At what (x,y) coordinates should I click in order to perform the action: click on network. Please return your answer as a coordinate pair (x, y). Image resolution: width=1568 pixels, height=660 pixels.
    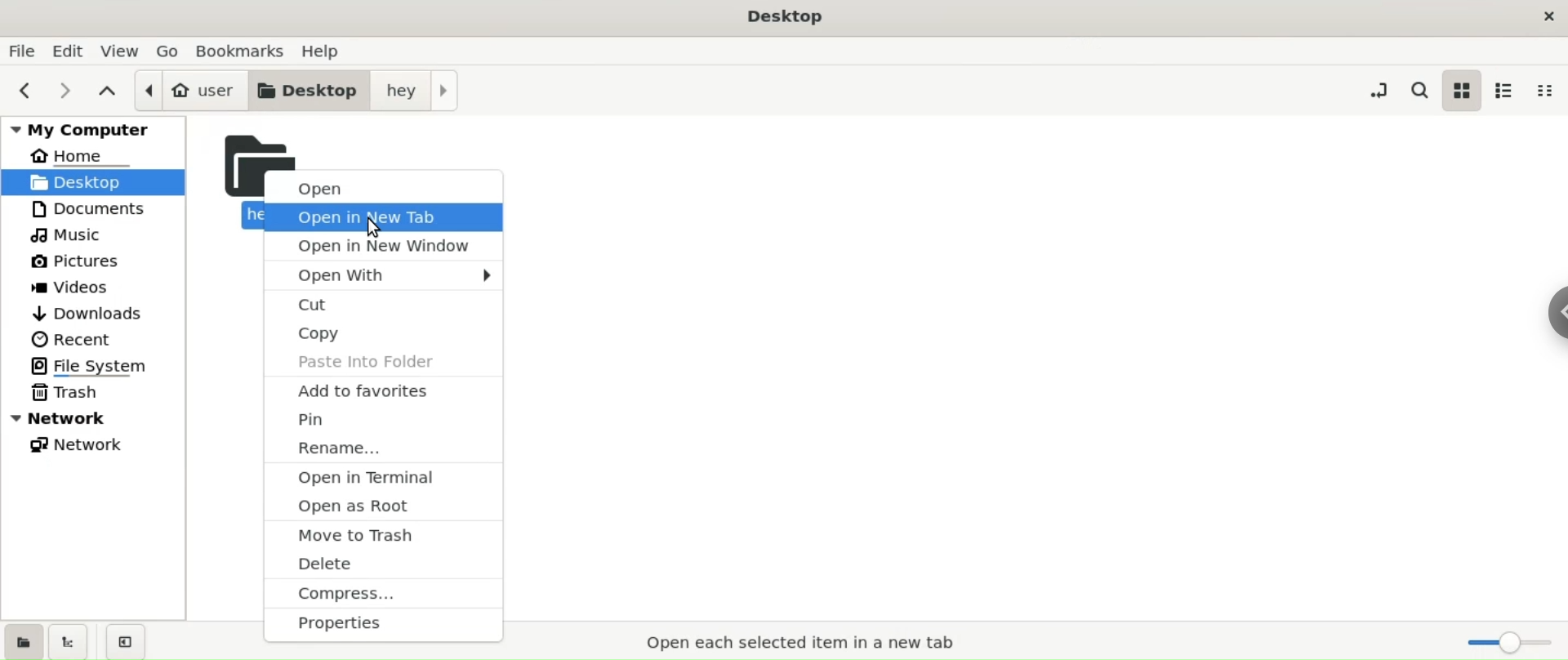
    Looking at the image, I should click on (100, 444).